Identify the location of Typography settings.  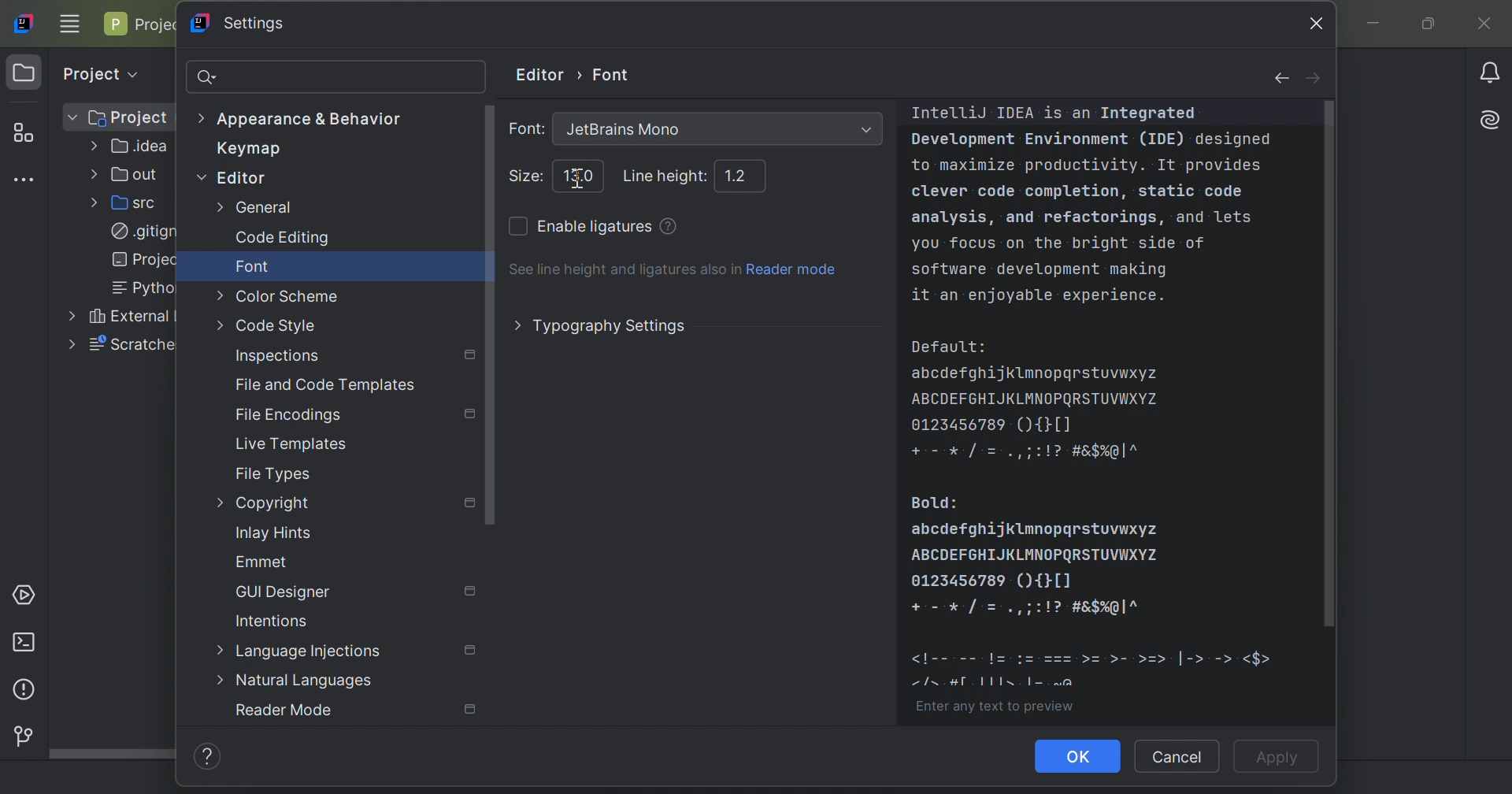
(602, 325).